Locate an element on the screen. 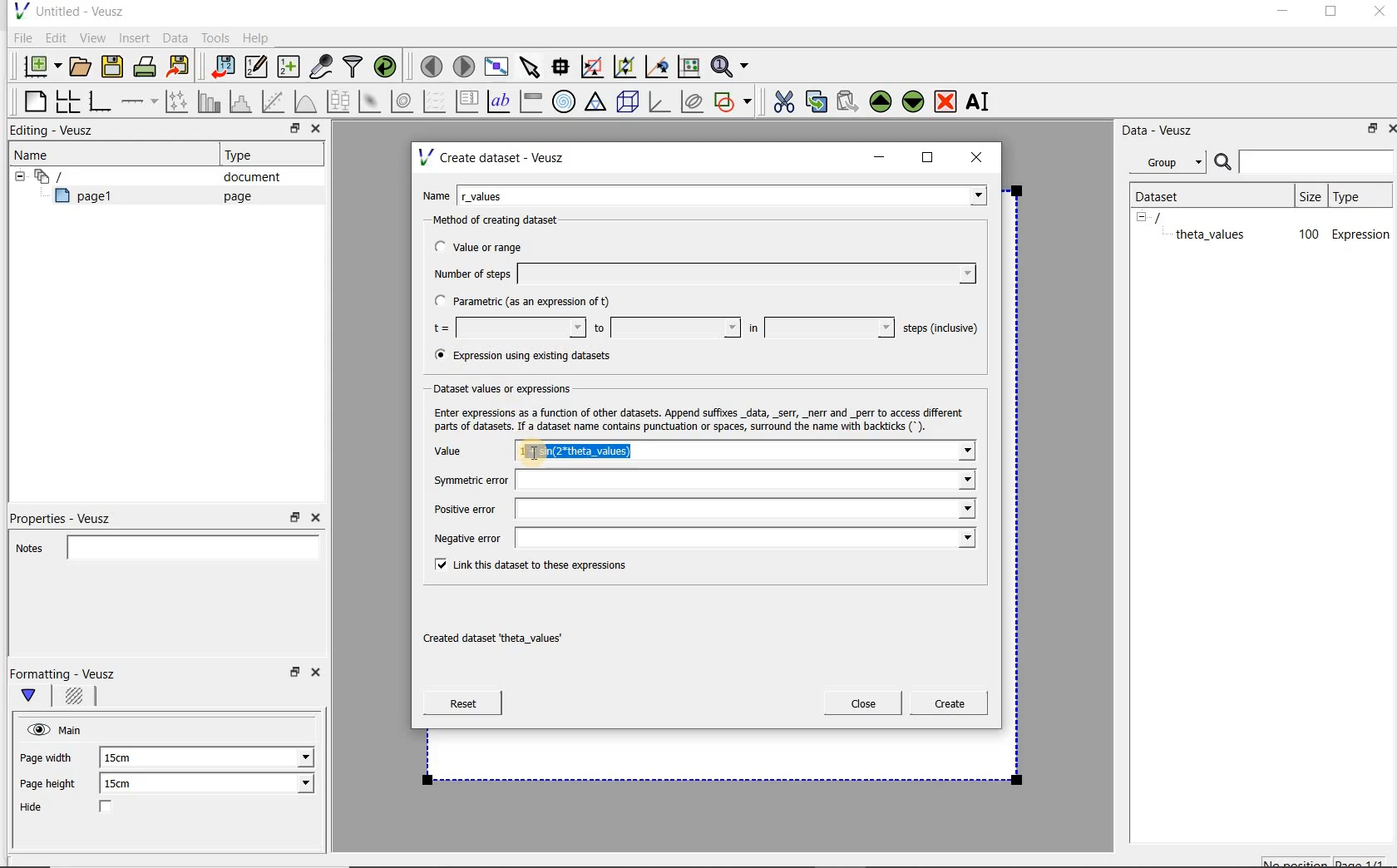 The image size is (1397, 868). click to reset graph axes is located at coordinates (689, 66).